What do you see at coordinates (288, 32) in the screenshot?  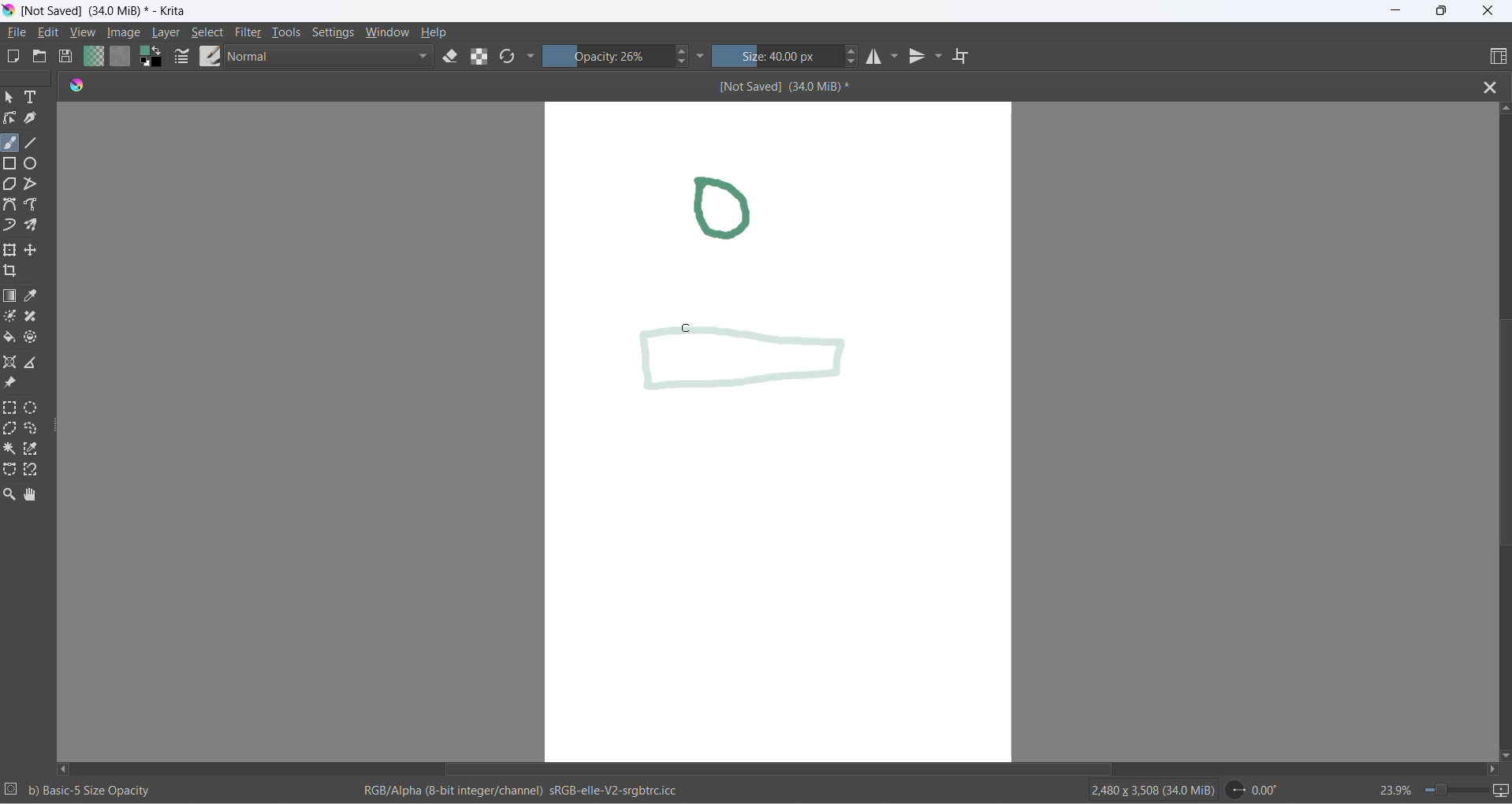 I see `tools` at bounding box center [288, 32].